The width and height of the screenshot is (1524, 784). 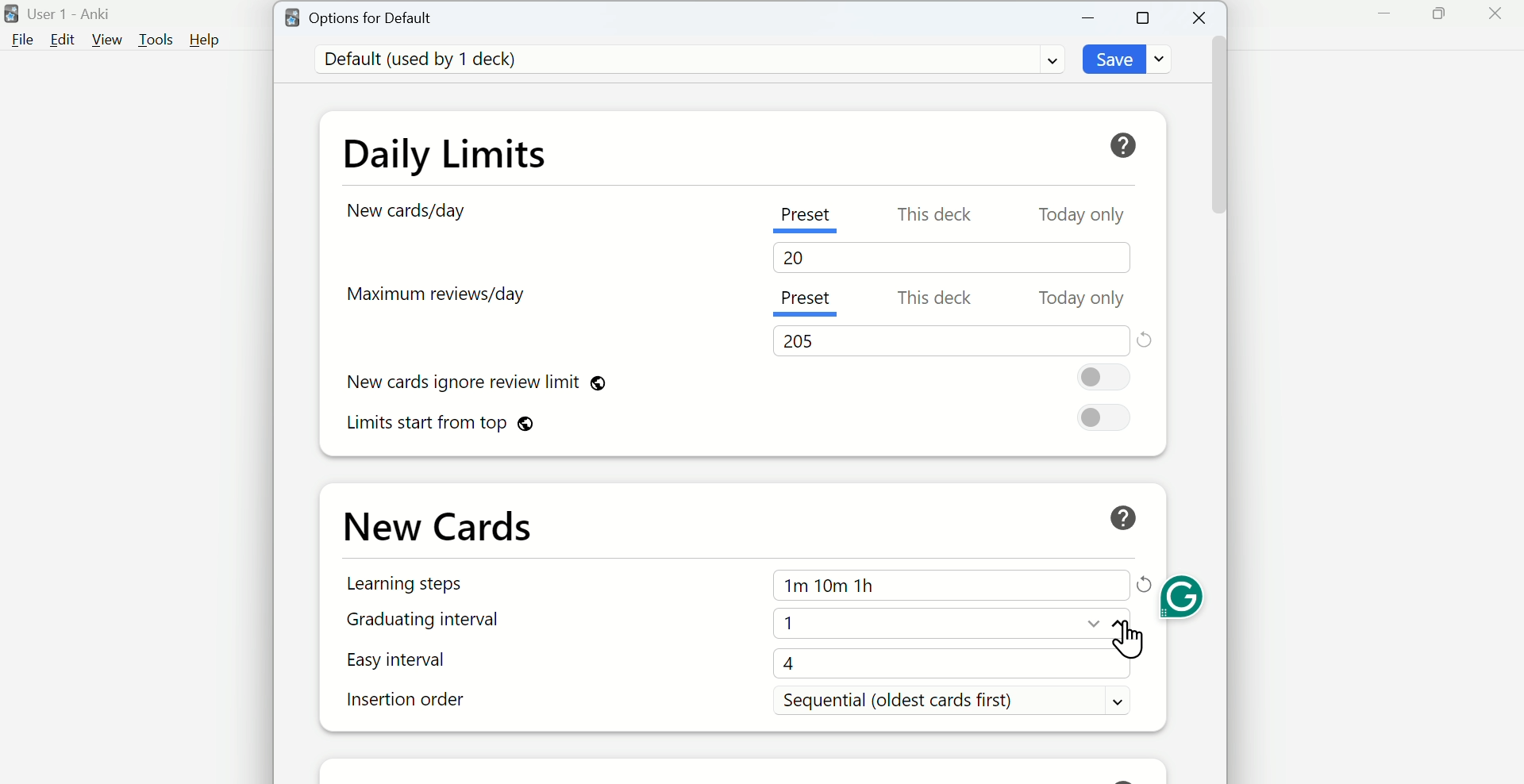 What do you see at coordinates (1106, 419) in the screenshot?
I see `On/Off toggle` at bounding box center [1106, 419].